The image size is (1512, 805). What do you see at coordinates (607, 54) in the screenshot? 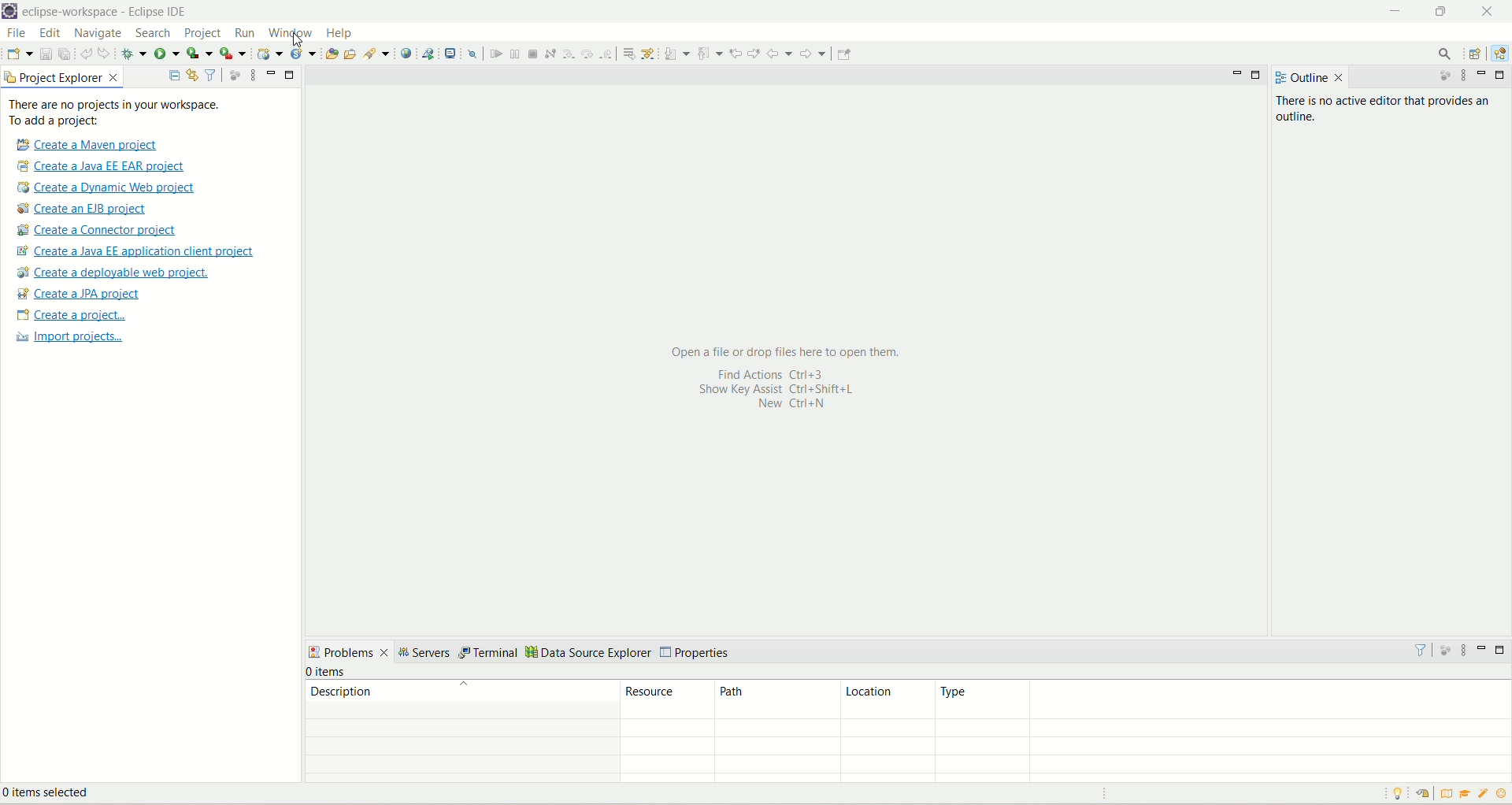
I see `step return` at bounding box center [607, 54].